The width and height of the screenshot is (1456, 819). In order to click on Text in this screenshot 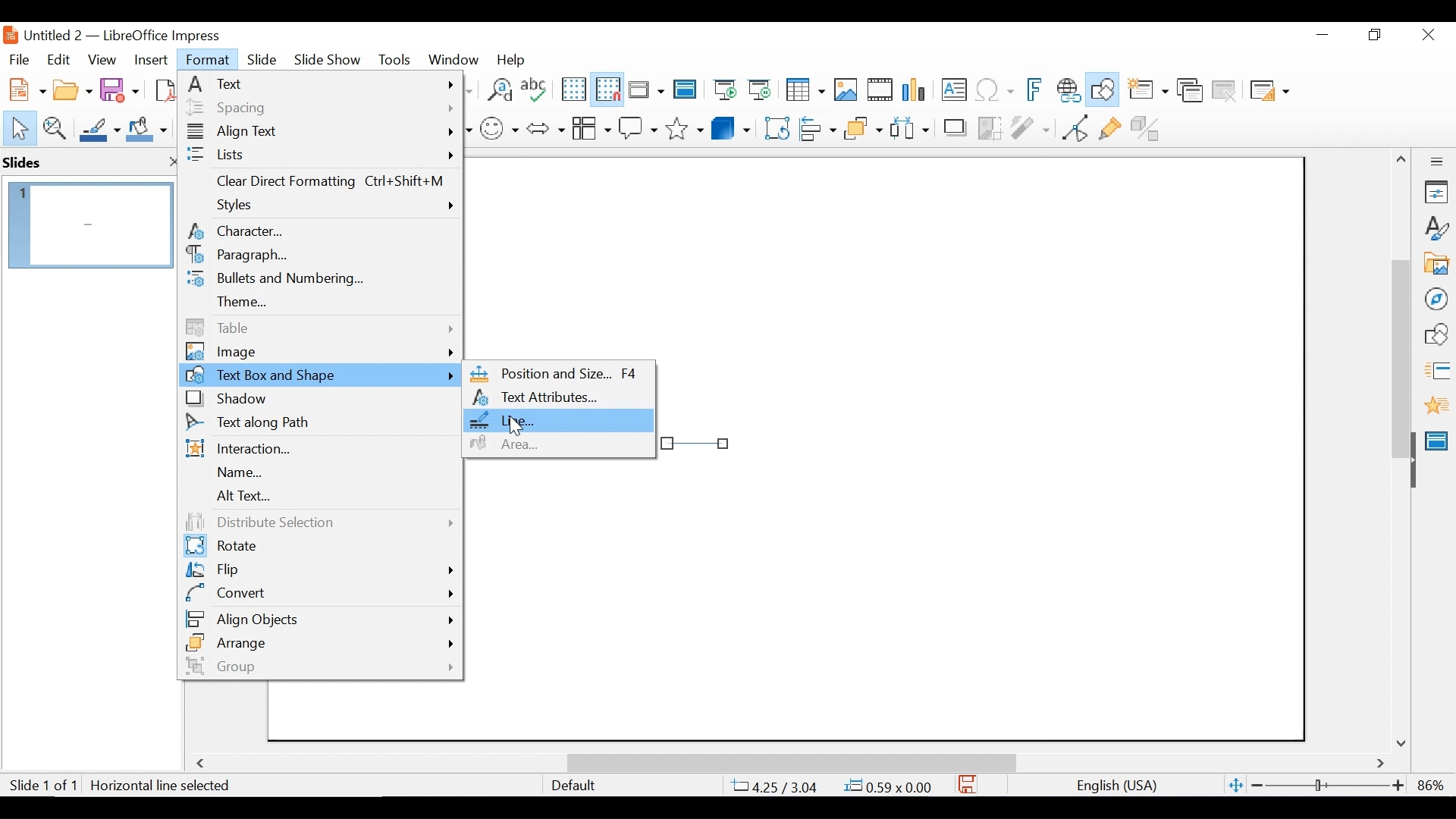, I will do `click(320, 83)`.